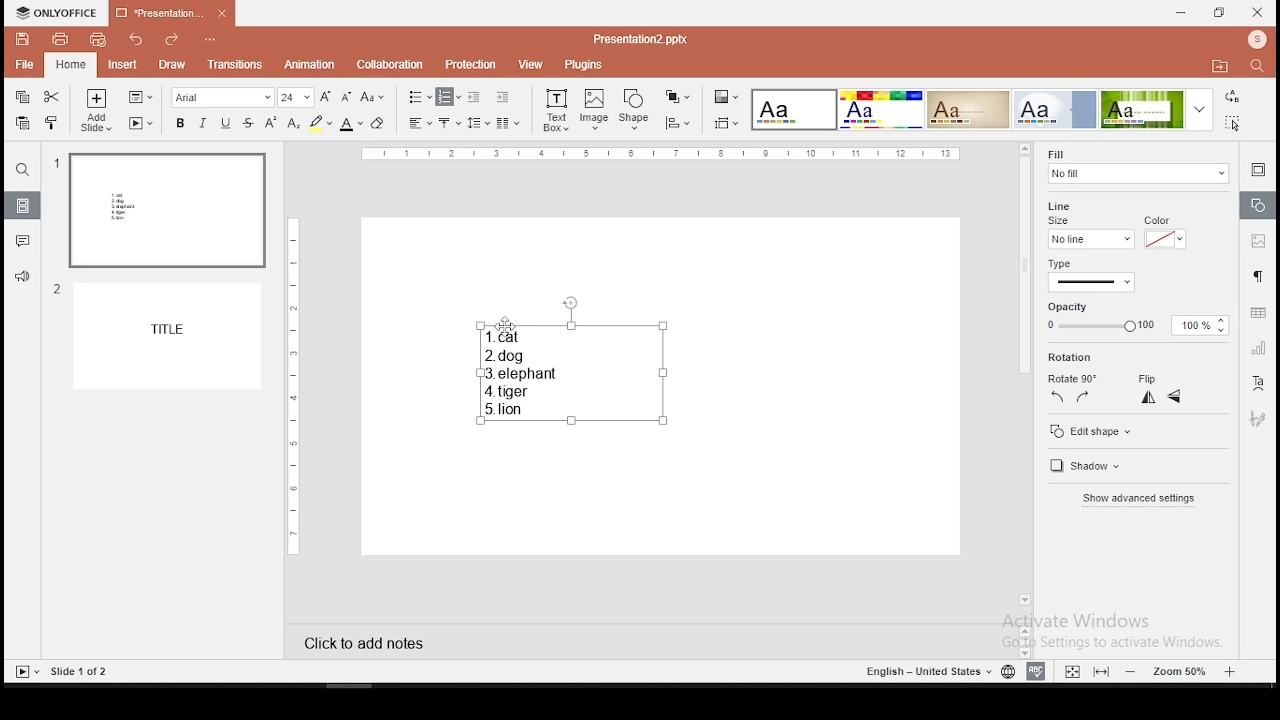 The width and height of the screenshot is (1280, 720). Describe the element at coordinates (1150, 375) in the screenshot. I see `flip` at that location.